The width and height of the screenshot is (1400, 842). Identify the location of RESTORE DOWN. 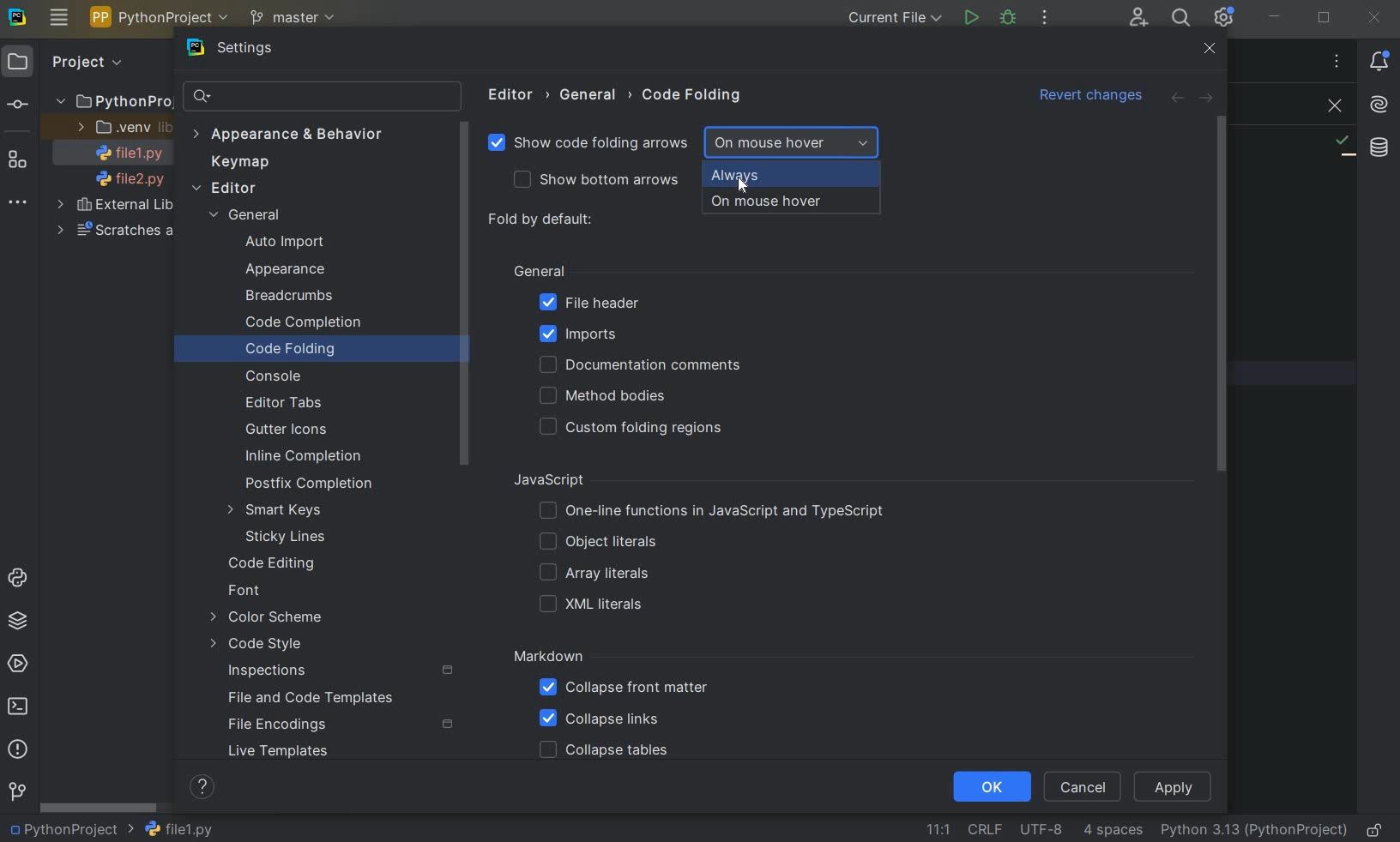
(1325, 20).